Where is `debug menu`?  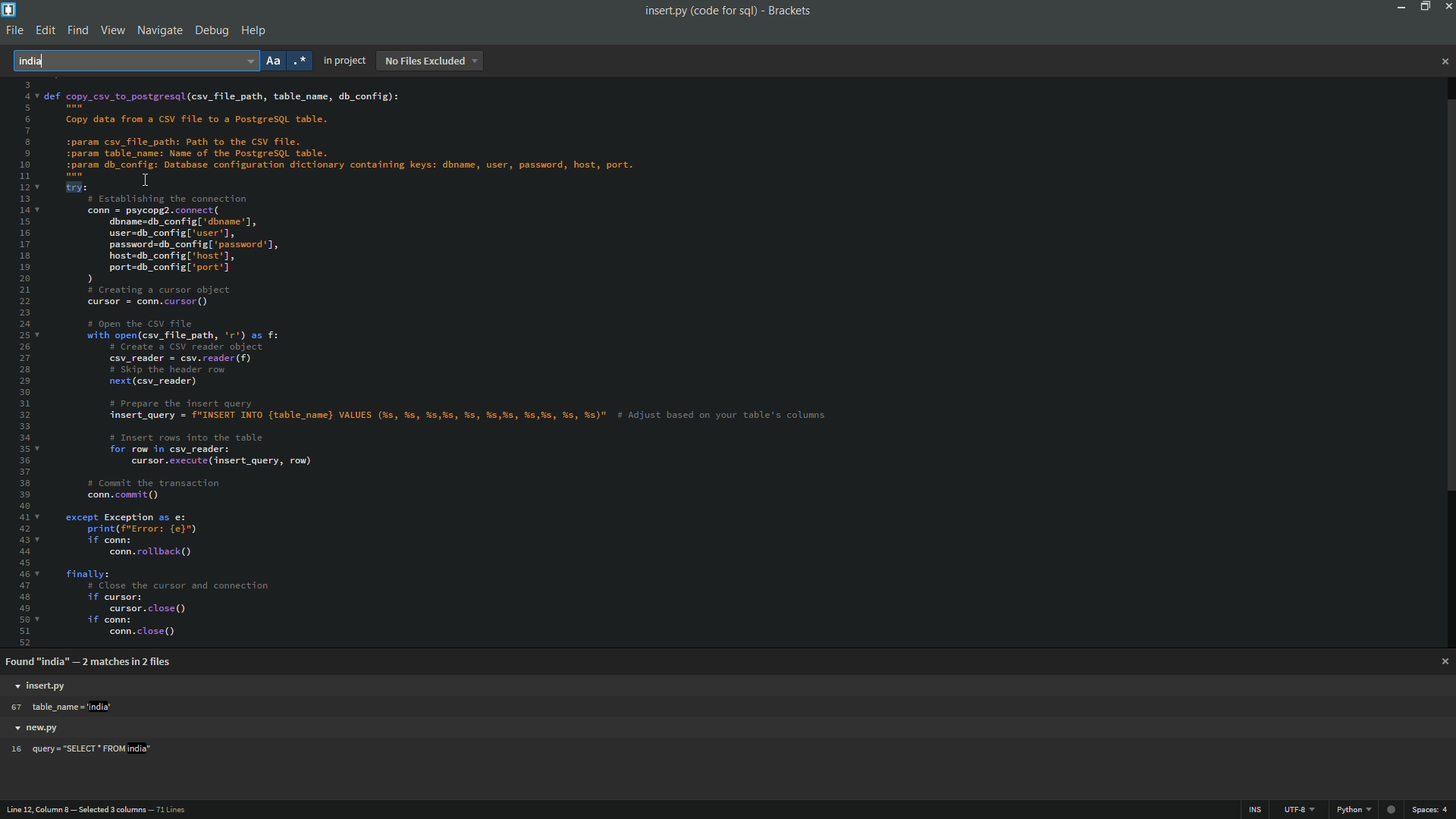
debug menu is located at coordinates (211, 32).